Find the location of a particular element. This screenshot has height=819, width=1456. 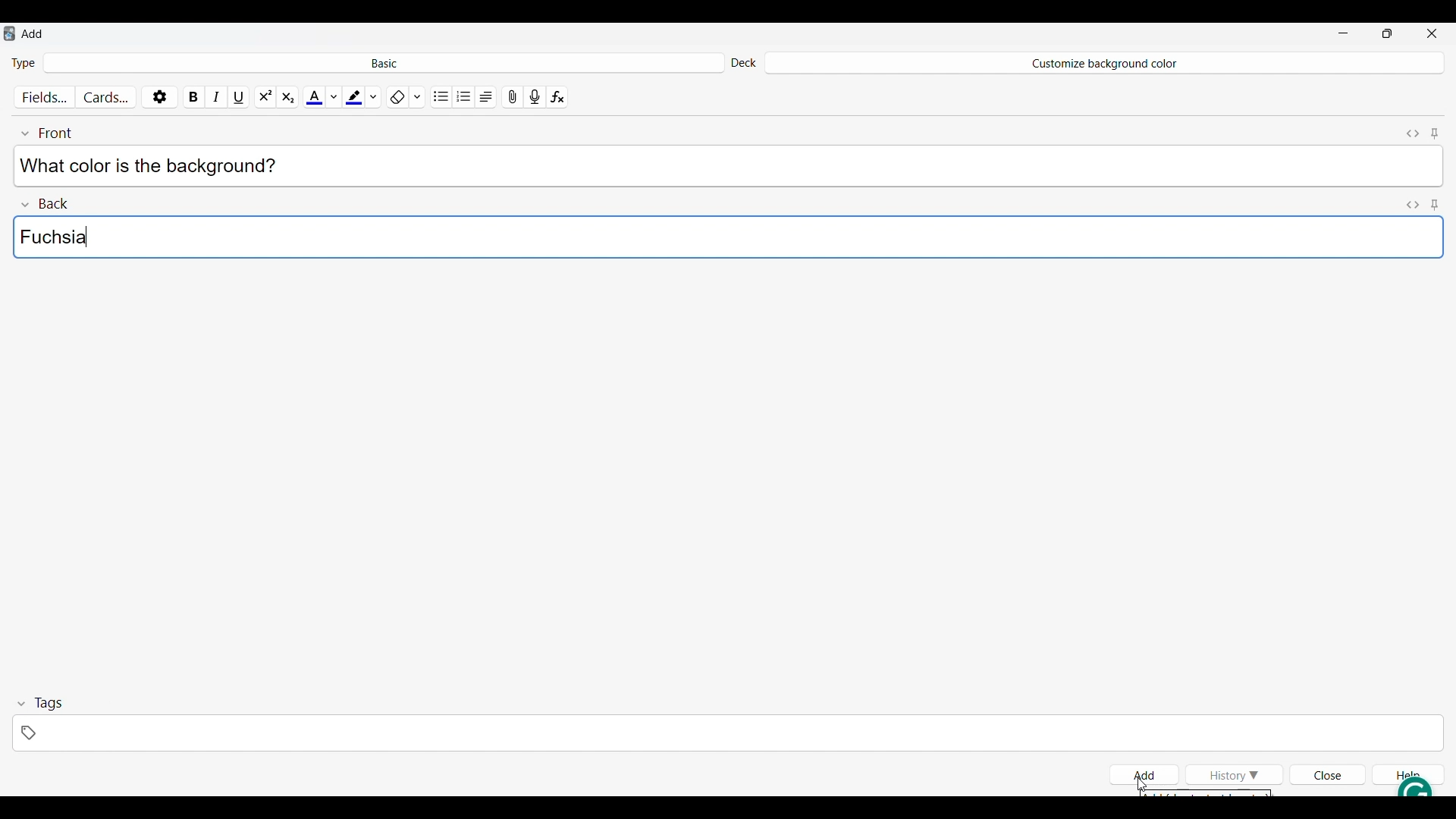

Remove formatting is located at coordinates (397, 95).